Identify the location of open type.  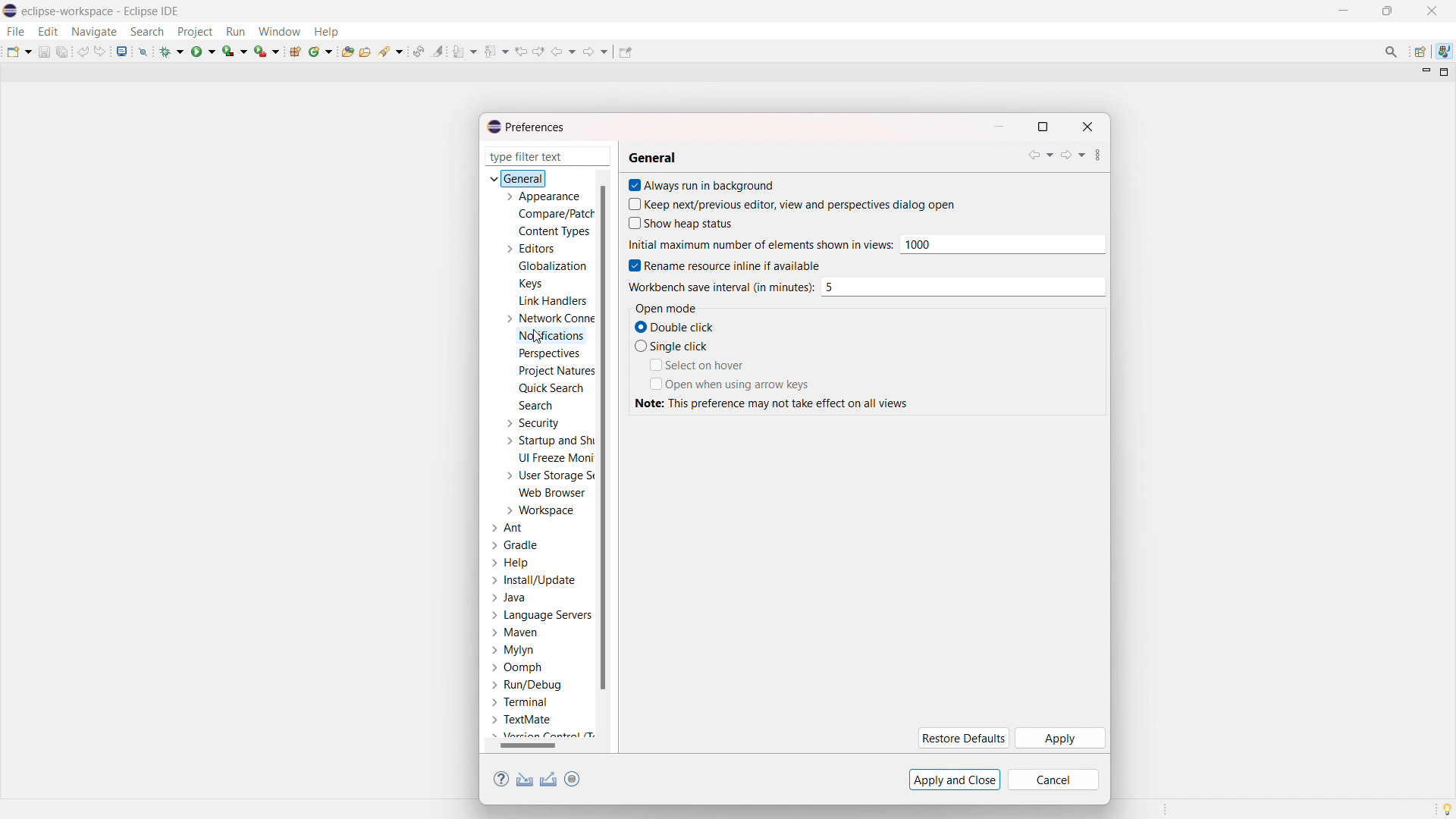
(347, 50).